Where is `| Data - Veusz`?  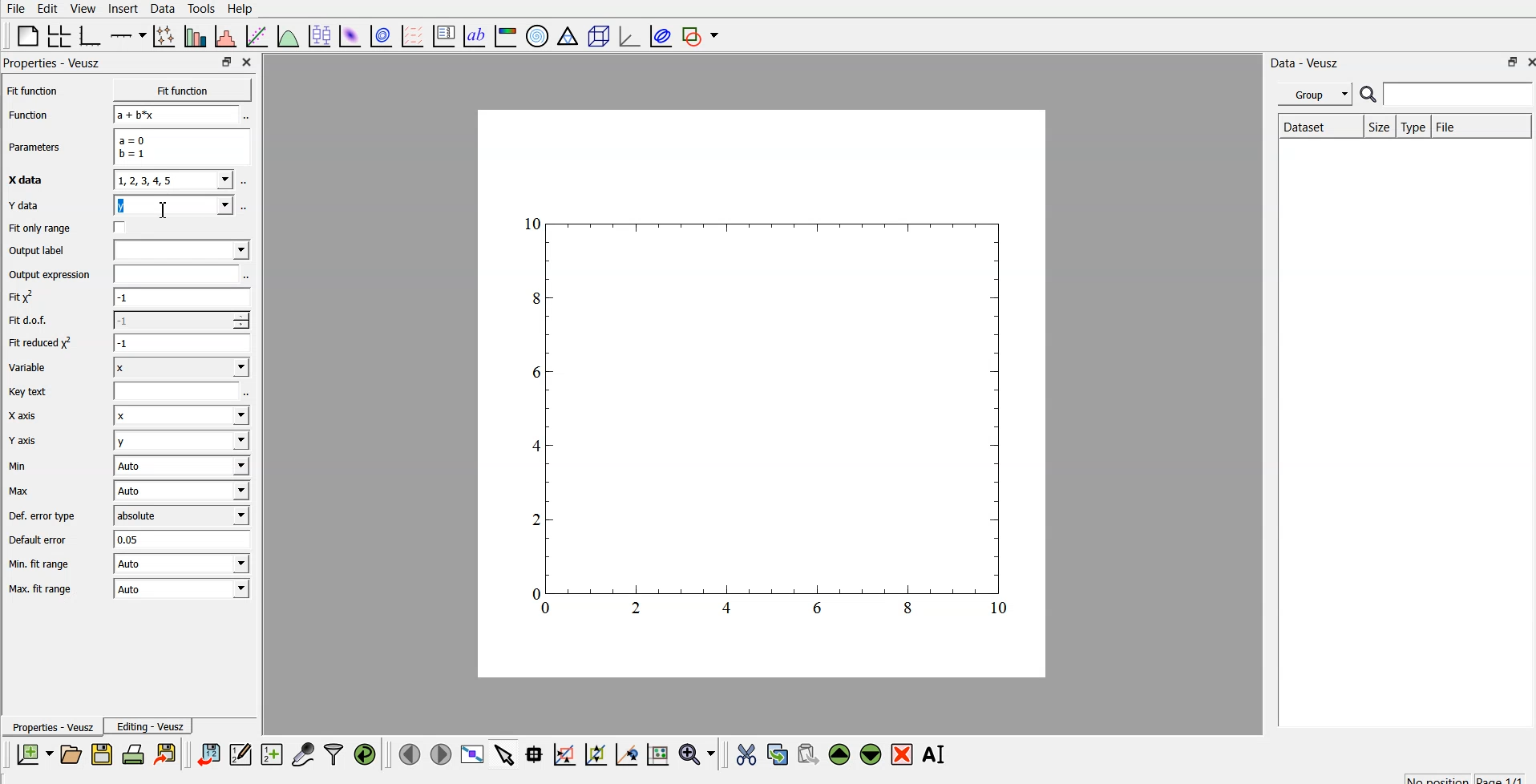
| Data - Veusz is located at coordinates (1303, 63).